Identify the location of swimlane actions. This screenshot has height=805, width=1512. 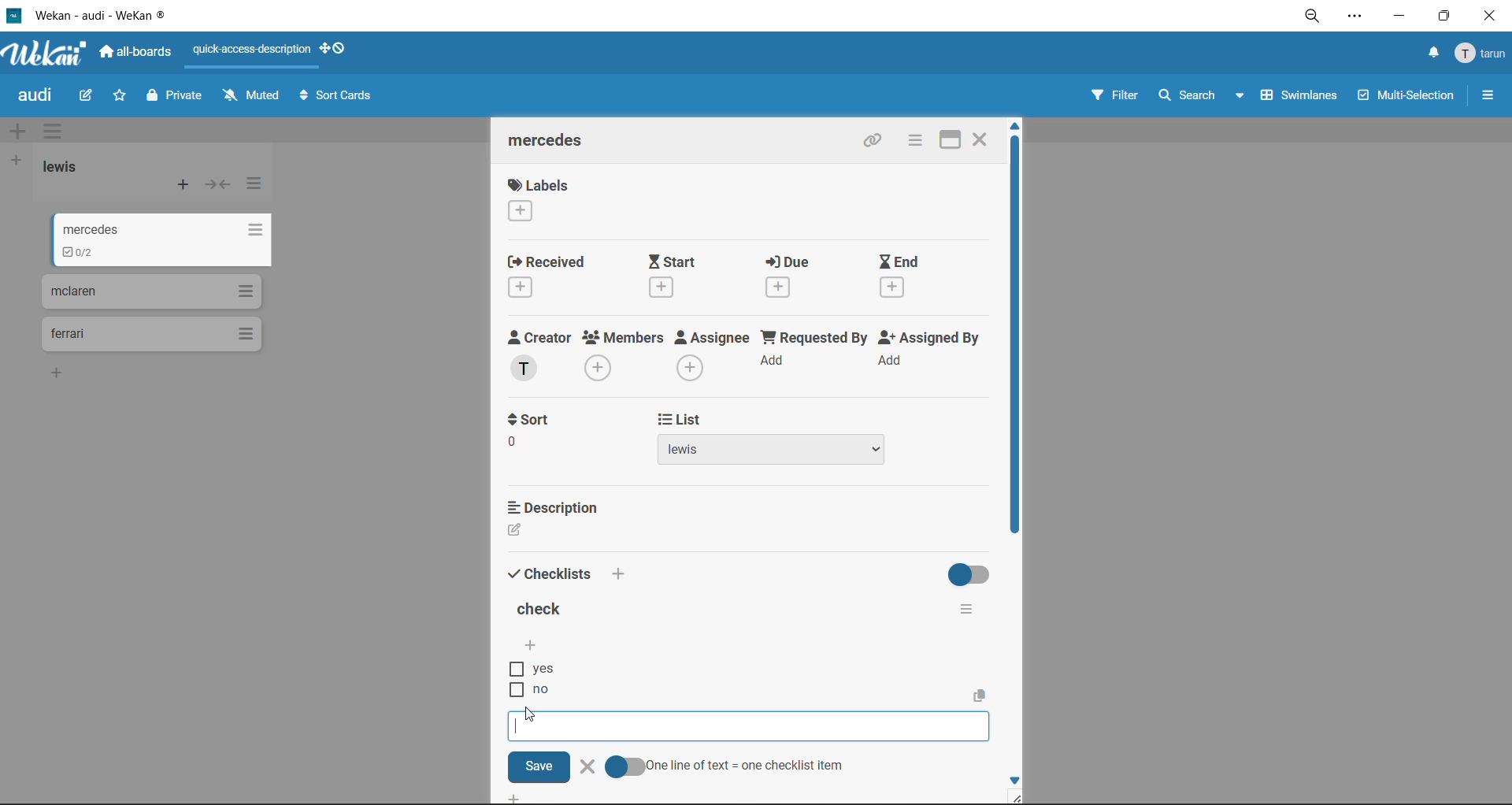
(57, 131).